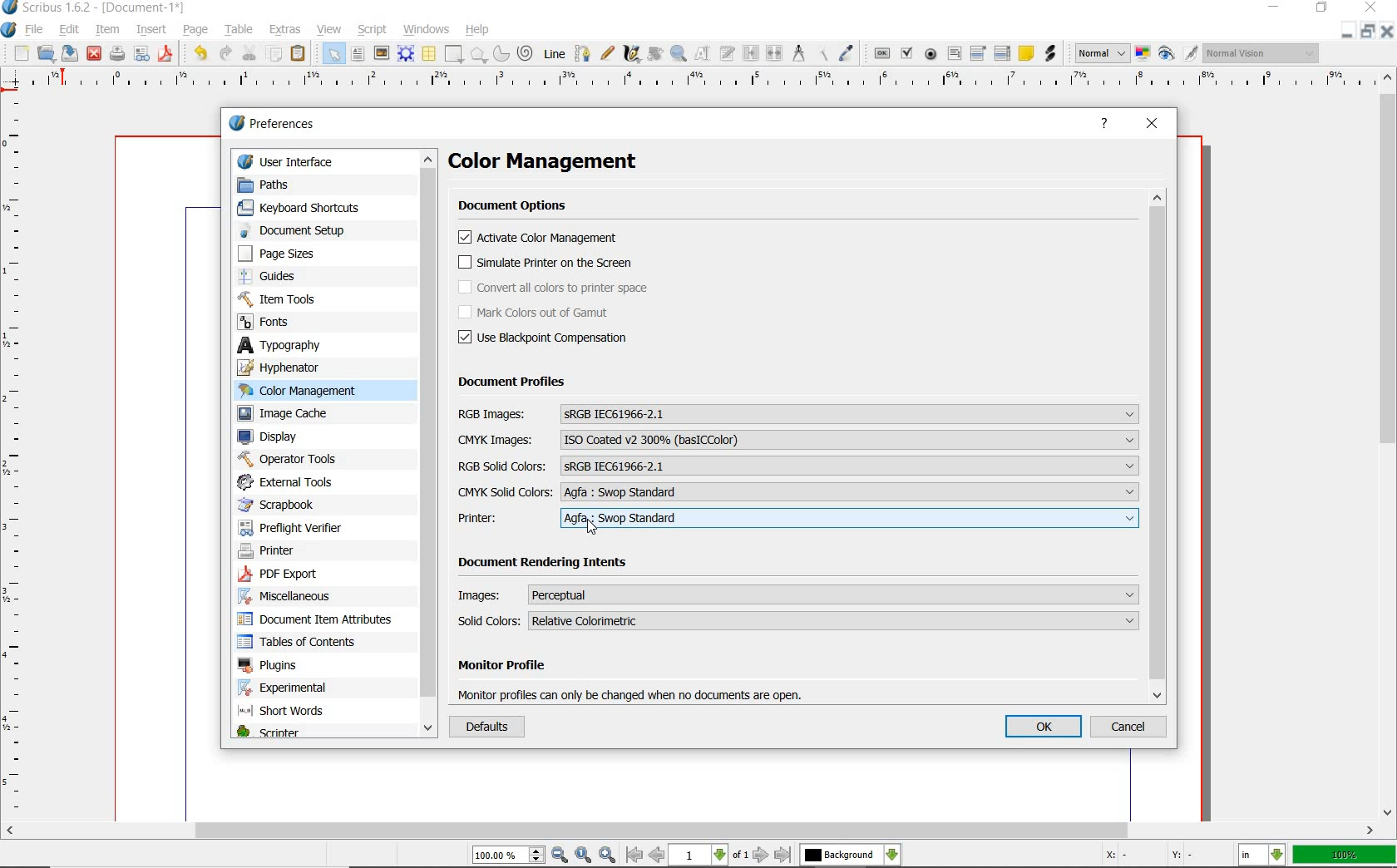 The width and height of the screenshot is (1397, 868). Describe the element at coordinates (703, 82) in the screenshot. I see `ruler` at that location.